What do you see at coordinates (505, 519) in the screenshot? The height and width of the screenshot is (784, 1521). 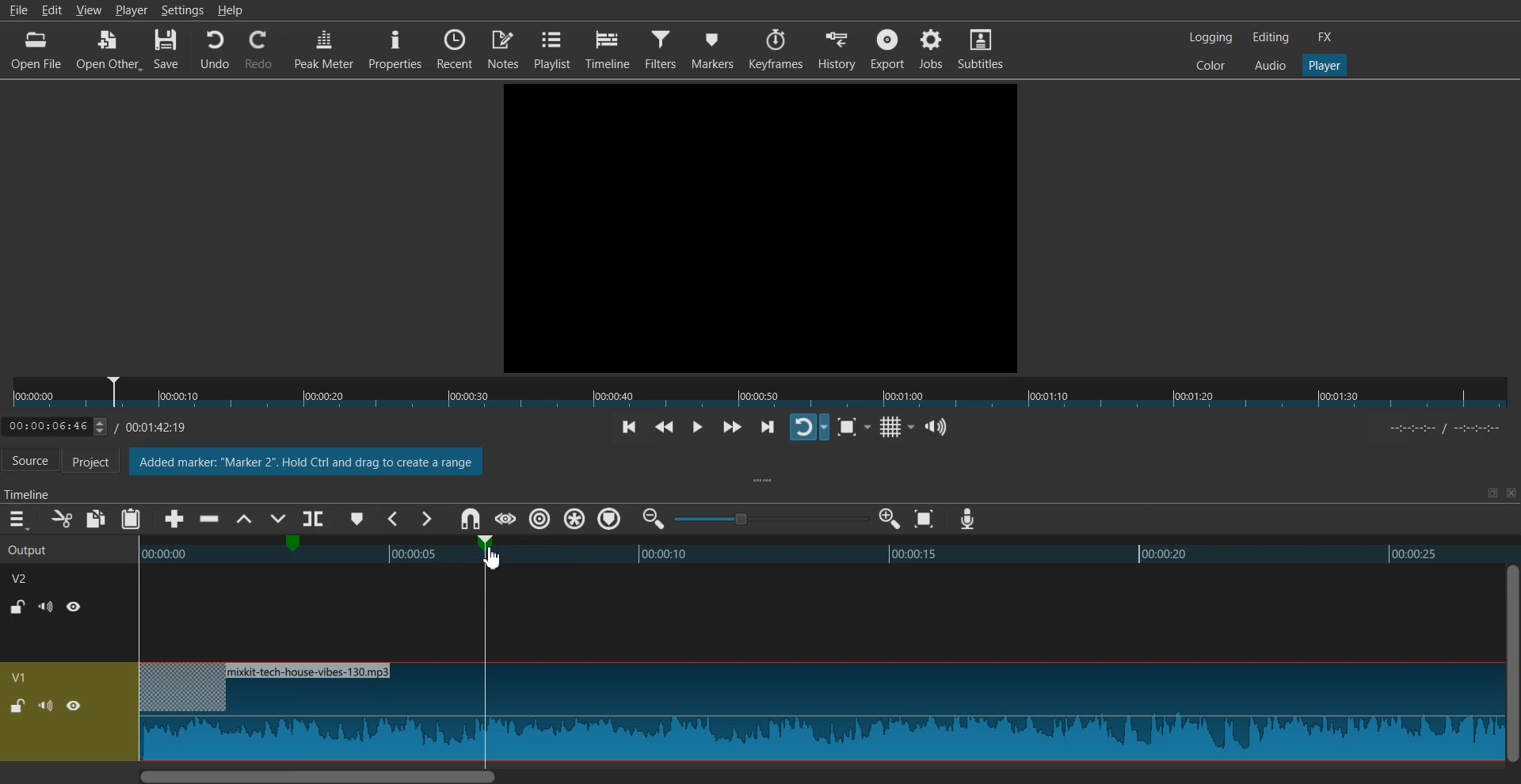 I see `Scrub while dragging` at bounding box center [505, 519].